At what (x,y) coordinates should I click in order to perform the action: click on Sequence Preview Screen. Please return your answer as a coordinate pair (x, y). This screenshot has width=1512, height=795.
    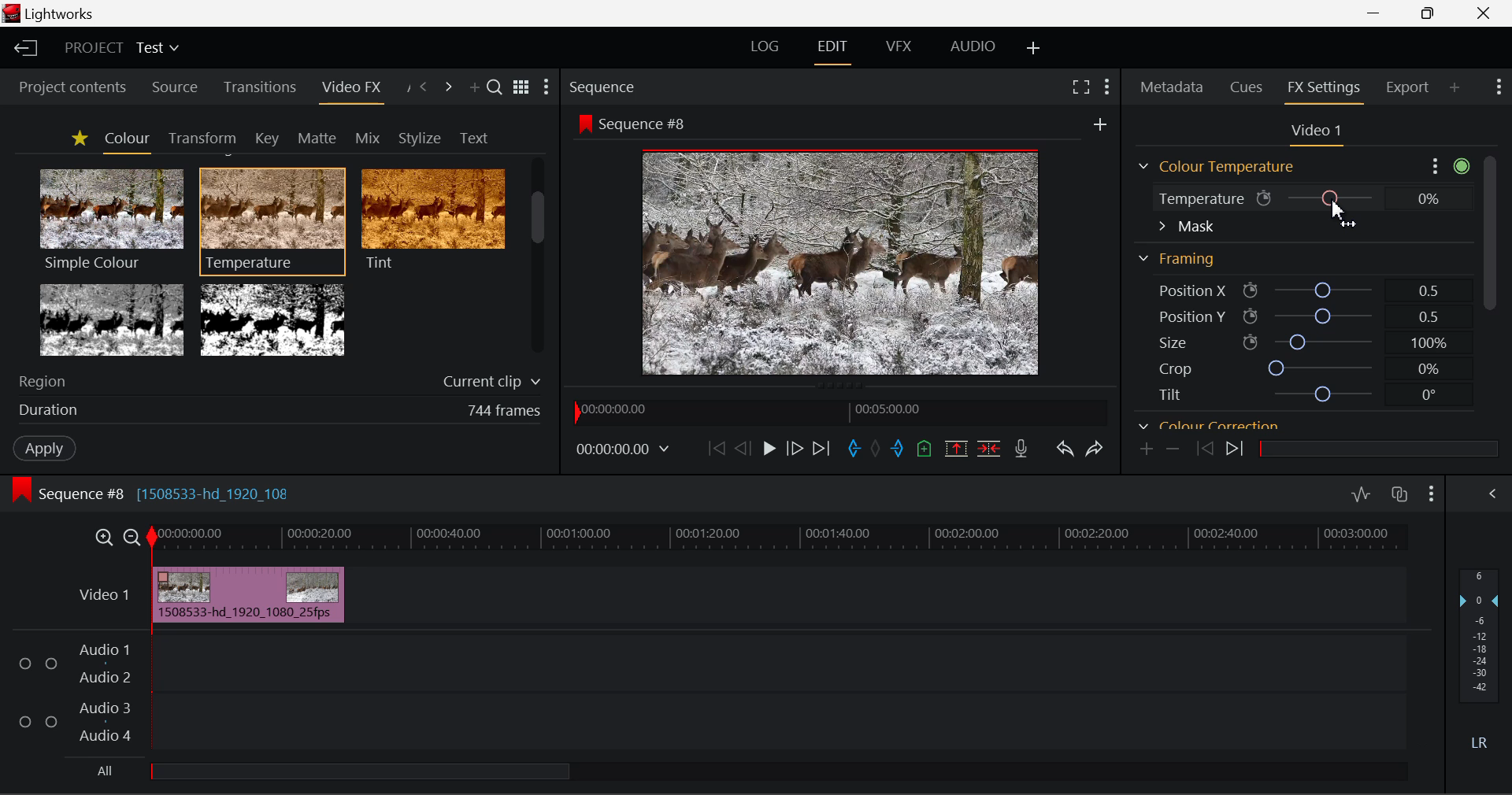
    Looking at the image, I should click on (844, 261).